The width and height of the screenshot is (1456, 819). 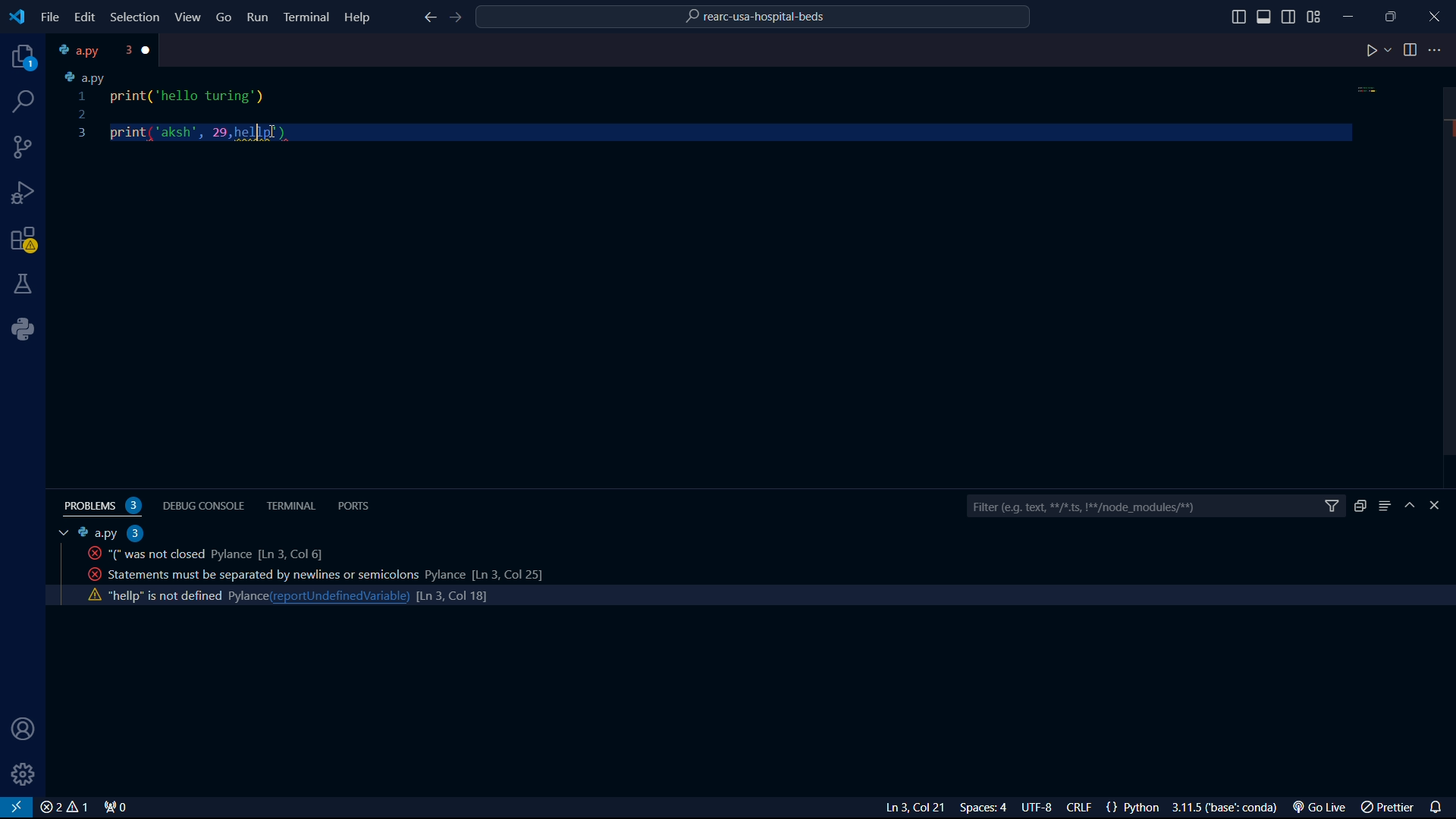 What do you see at coordinates (1229, 808) in the screenshot?
I see `3.1.5` at bounding box center [1229, 808].